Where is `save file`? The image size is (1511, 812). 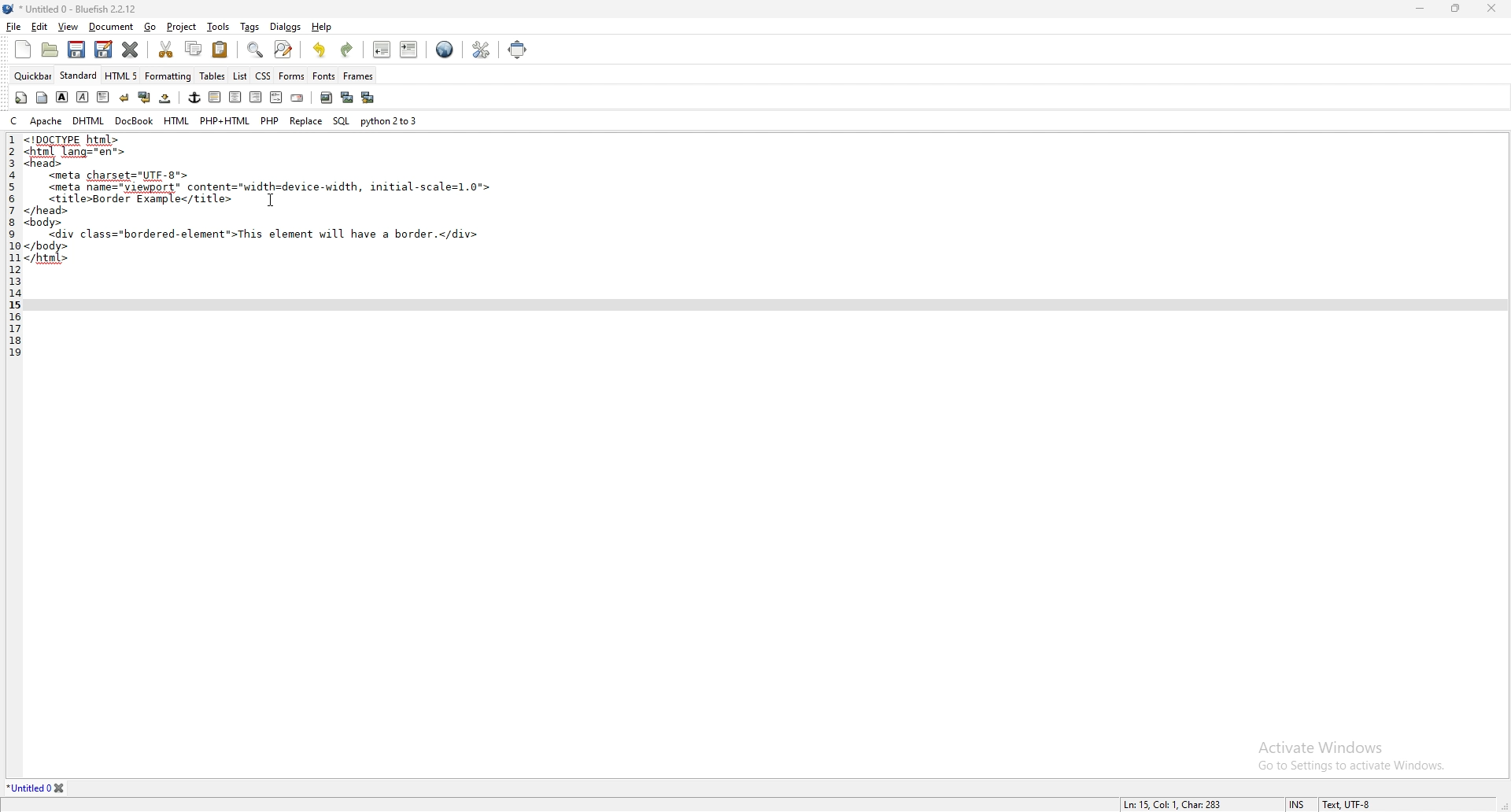 save file is located at coordinates (75, 50).